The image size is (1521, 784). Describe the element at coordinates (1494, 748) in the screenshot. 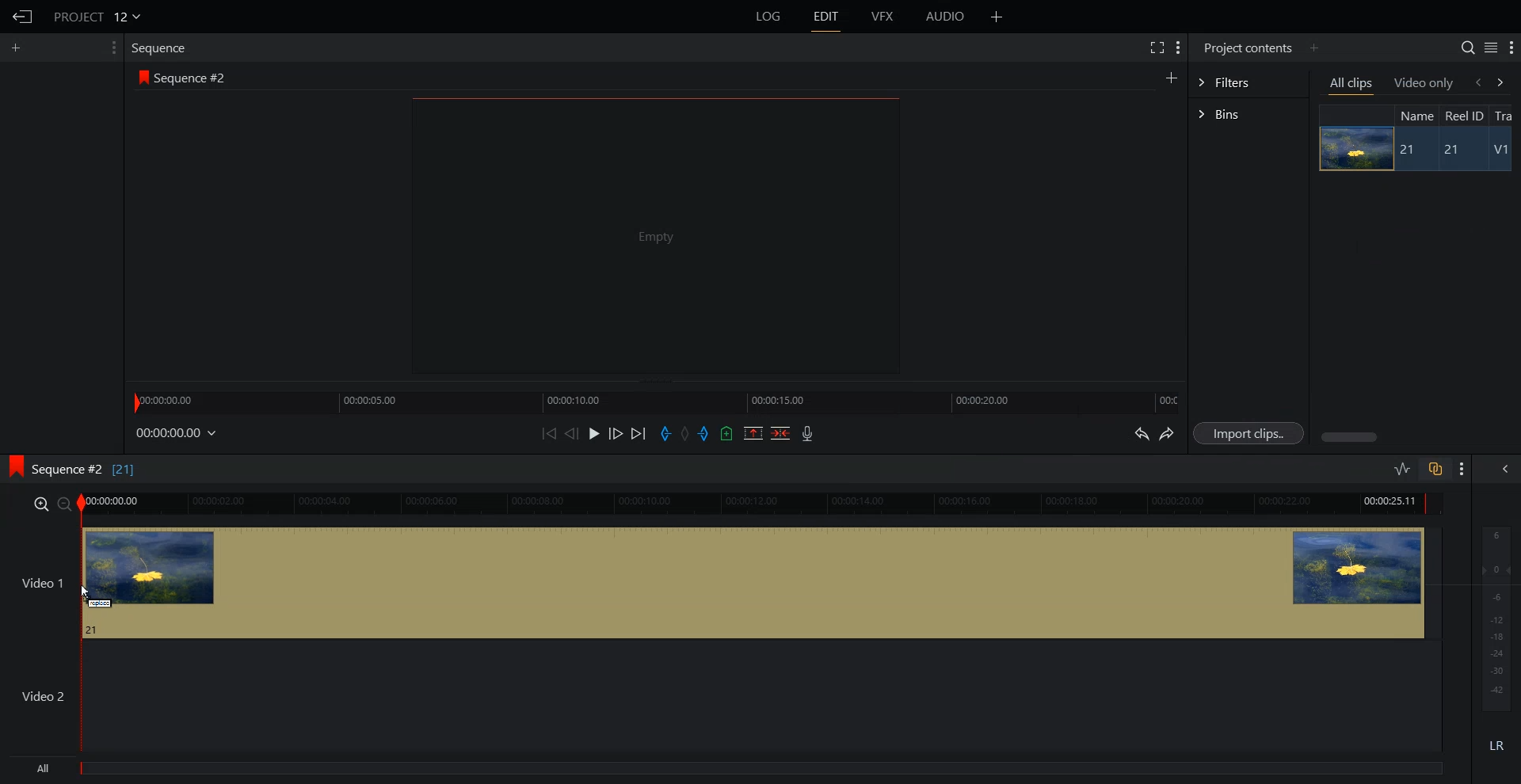

I see `LR` at that location.